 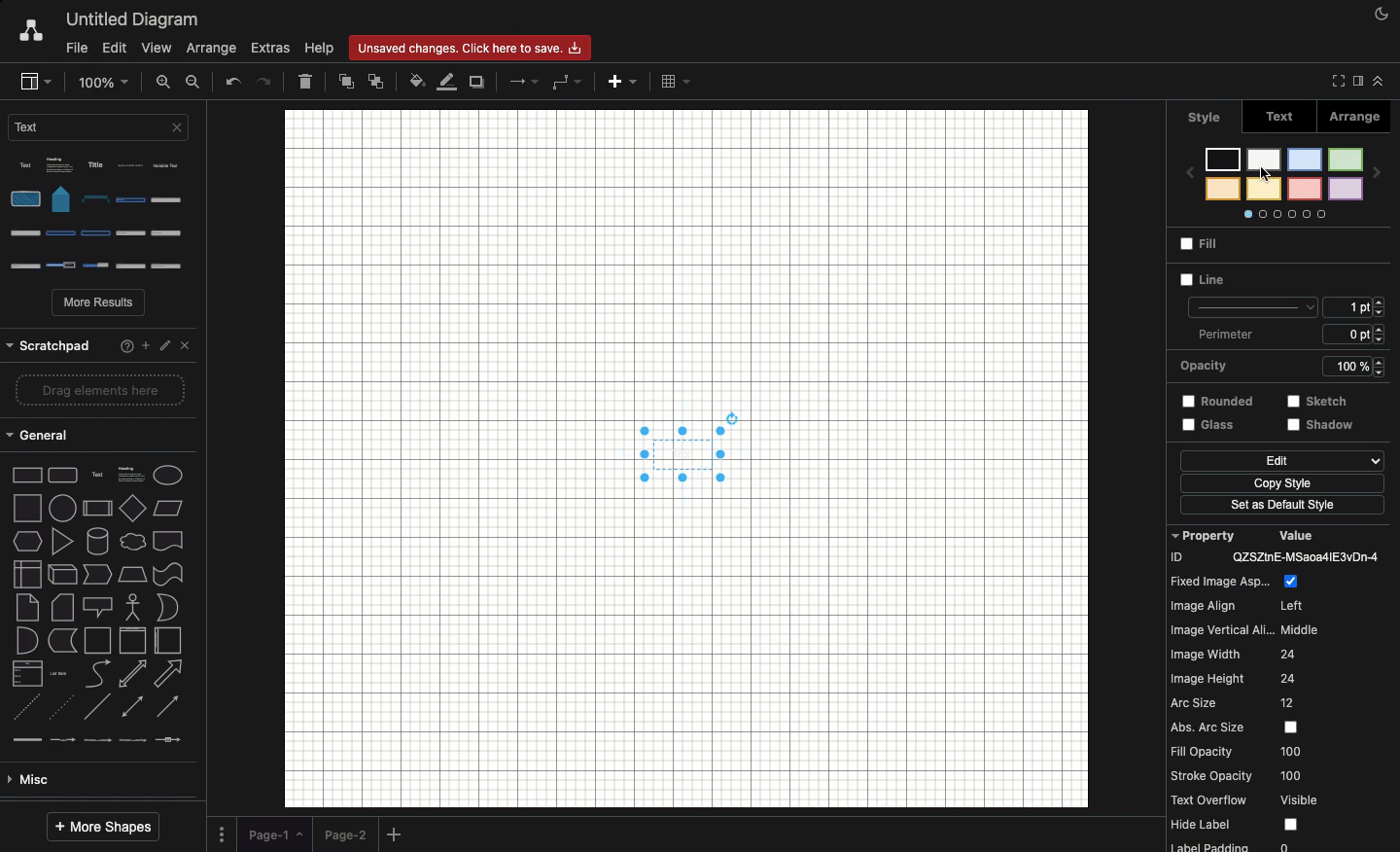 I want to click on Set as default style, so click(x=1283, y=505).